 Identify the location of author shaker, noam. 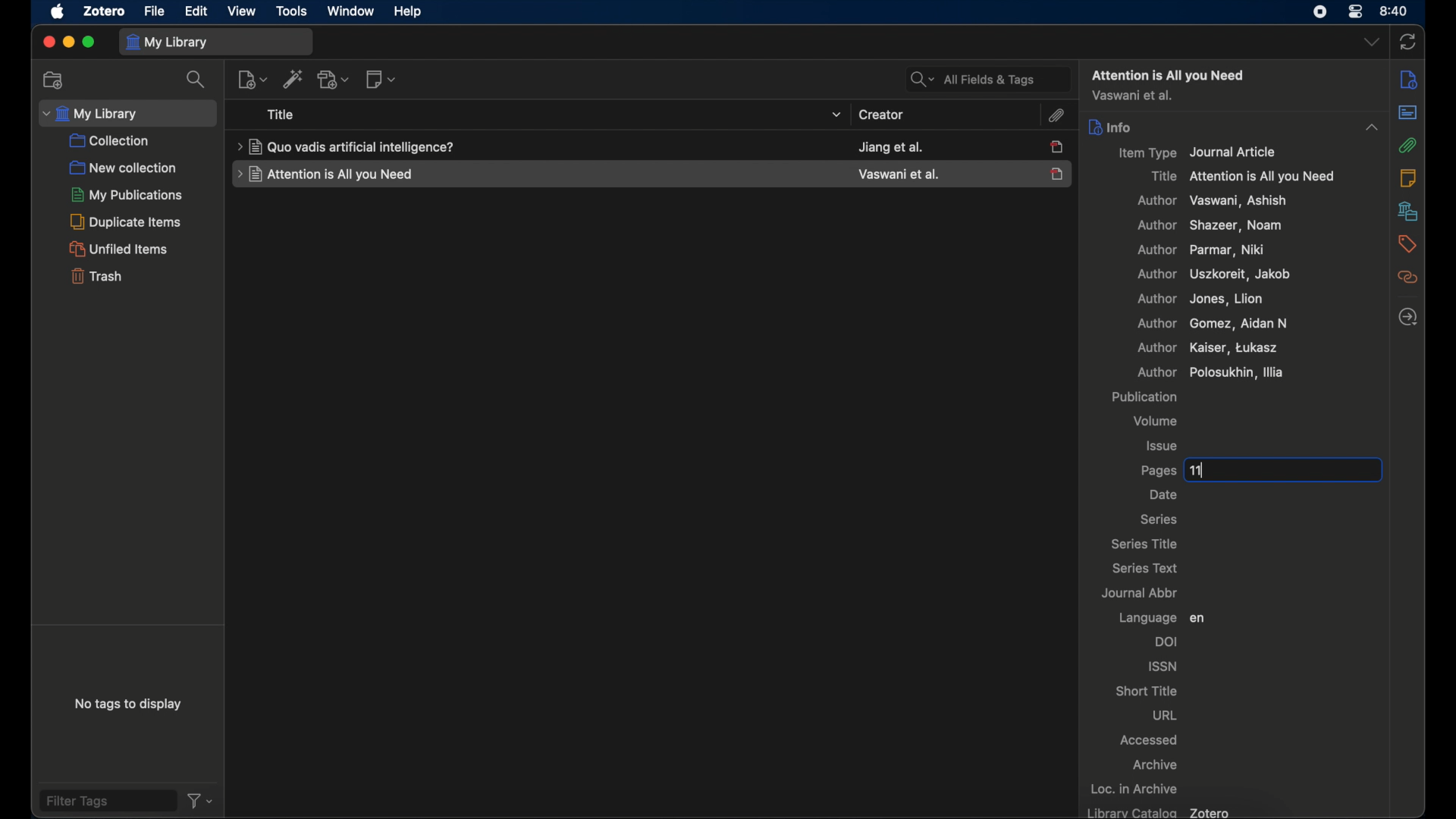
(1214, 227).